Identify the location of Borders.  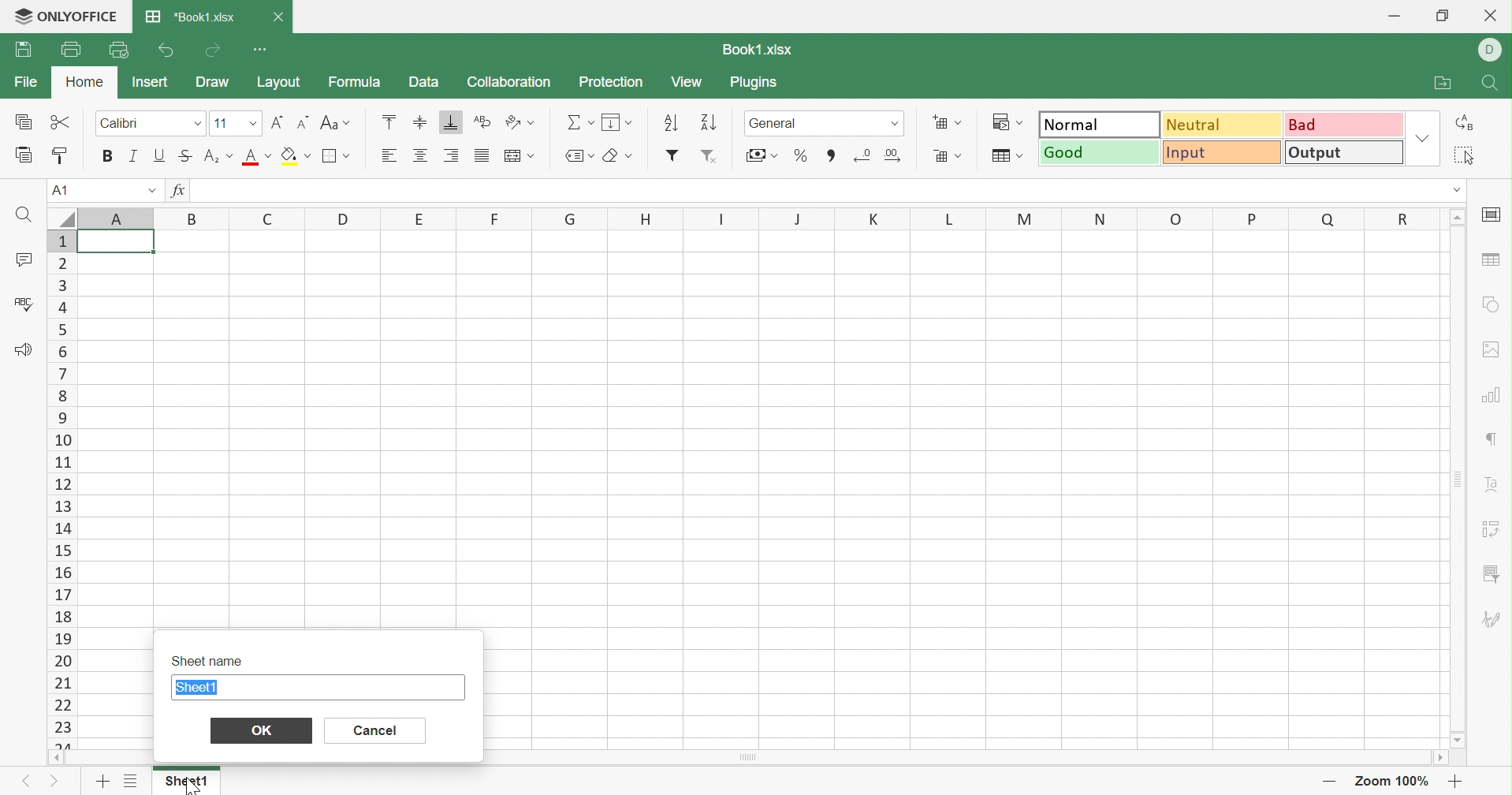
(341, 157).